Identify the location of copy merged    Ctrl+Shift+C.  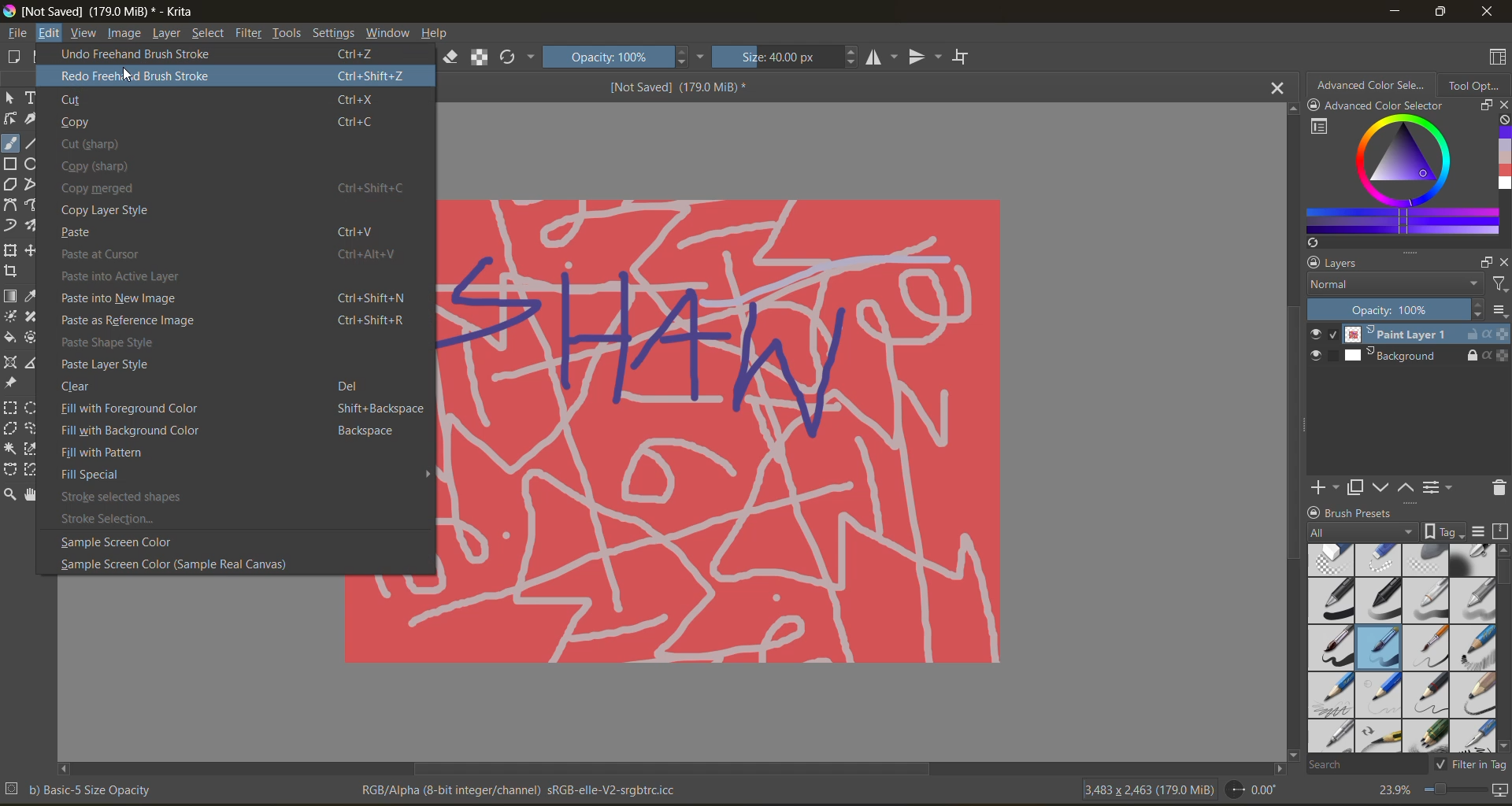
(245, 190).